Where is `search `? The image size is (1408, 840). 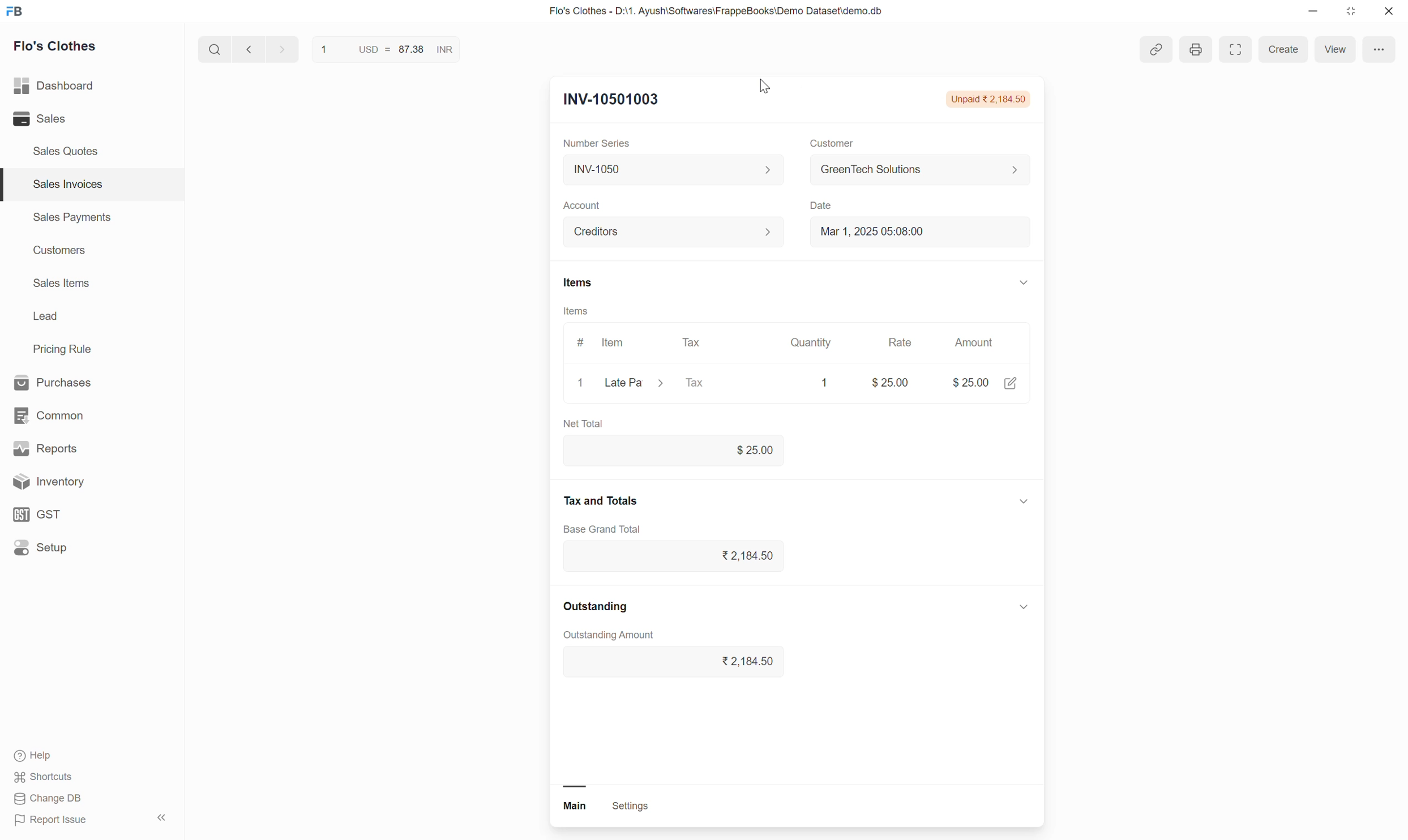
search  is located at coordinates (212, 52).